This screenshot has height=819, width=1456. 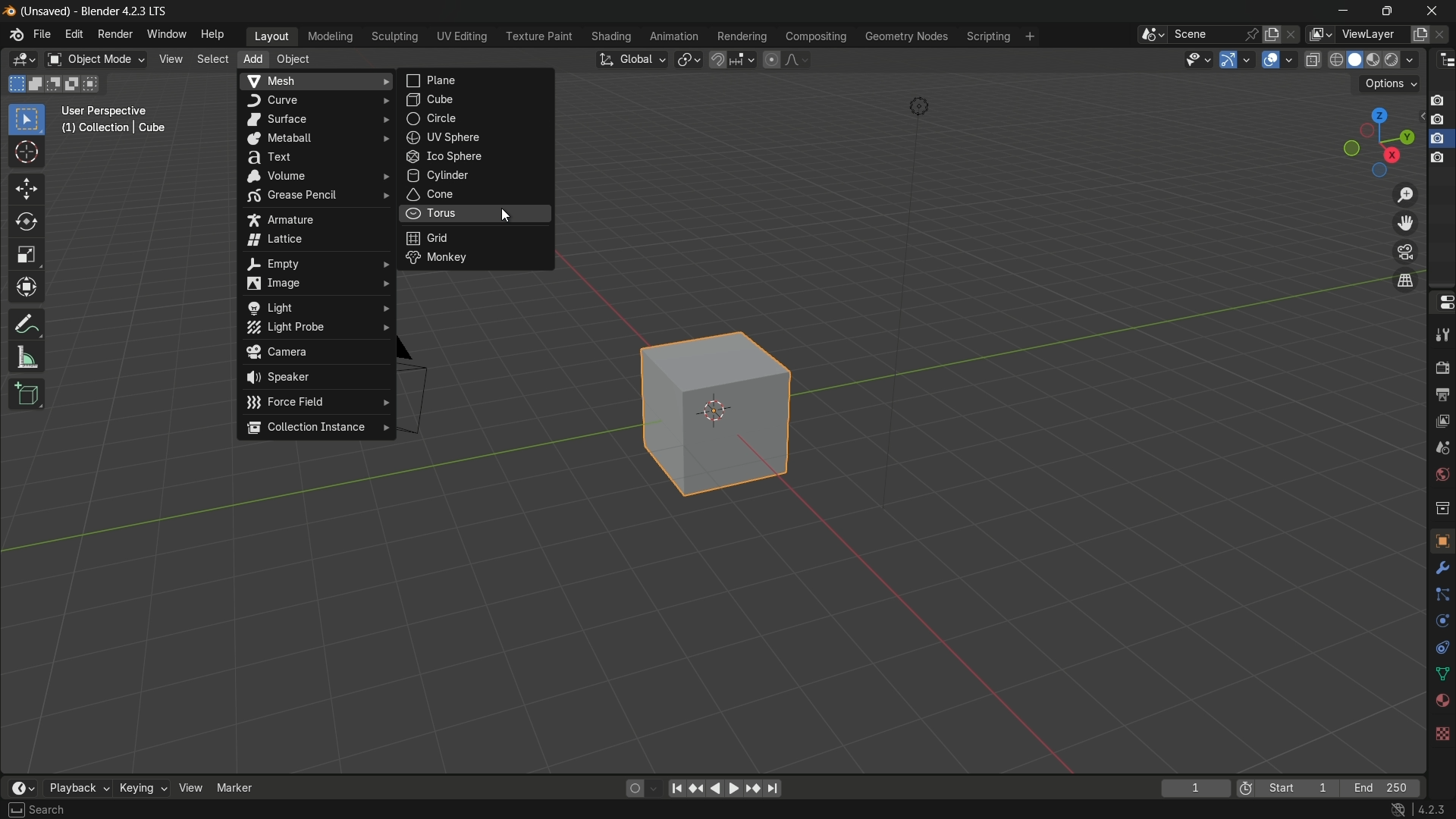 I want to click on transformation orientation, so click(x=631, y=60).